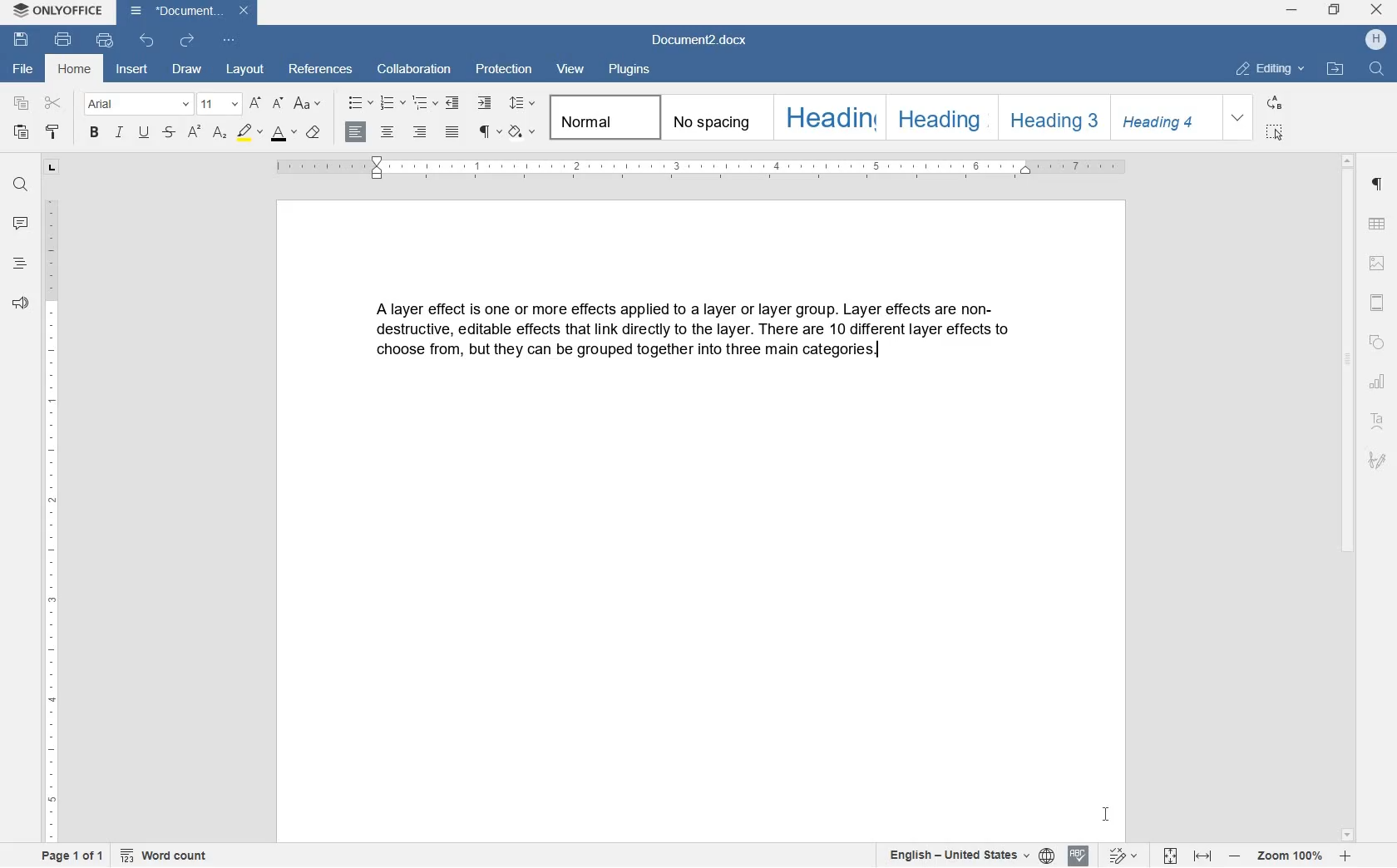 The image size is (1397, 868). What do you see at coordinates (19, 303) in the screenshot?
I see `FEEDBACK & SUPPORT` at bounding box center [19, 303].